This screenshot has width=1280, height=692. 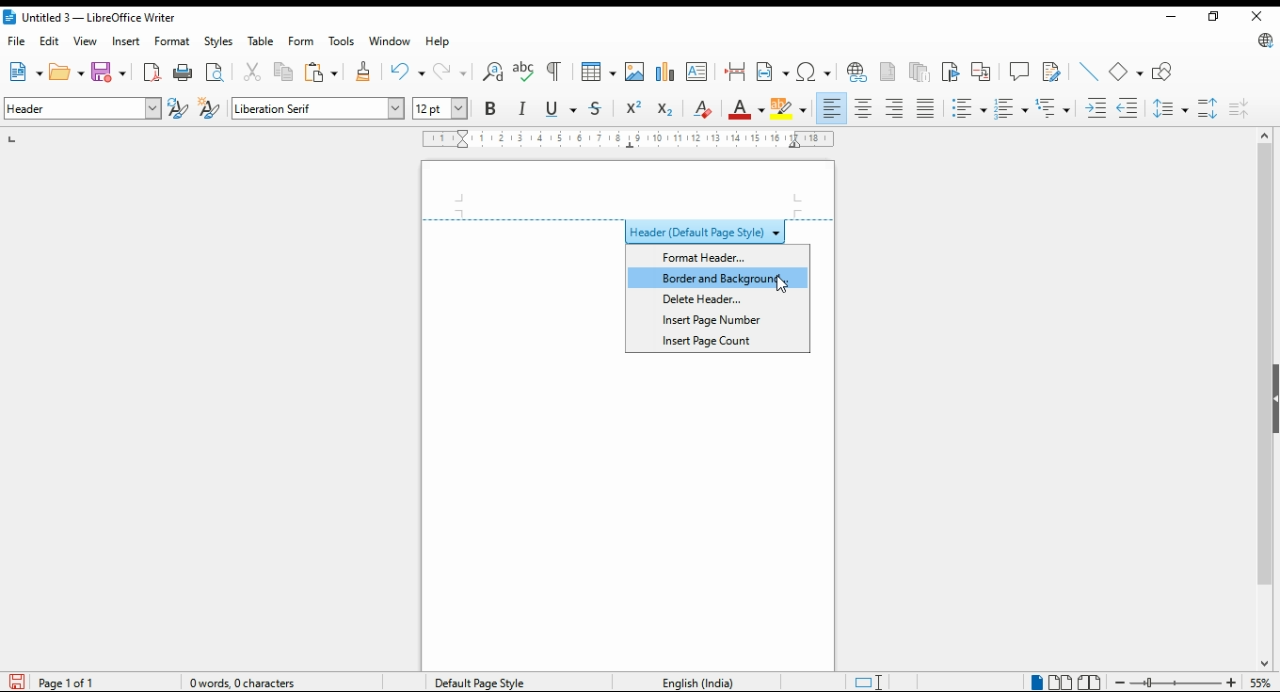 What do you see at coordinates (24, 72) in the screenshot?
I see `new` at bounding box center [24, 72].